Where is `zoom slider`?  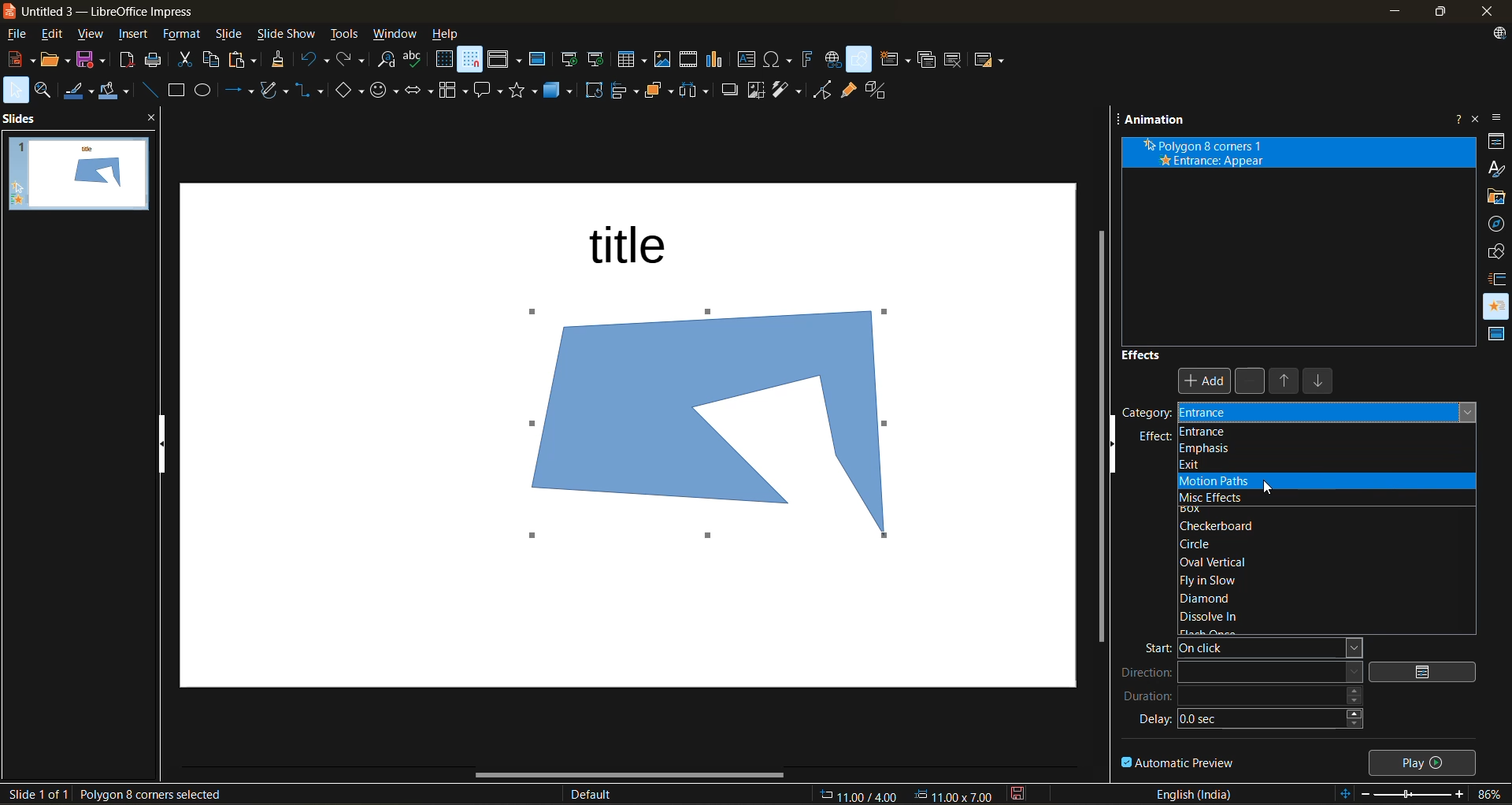 zoom slider is located at coordinates (1412, 792).